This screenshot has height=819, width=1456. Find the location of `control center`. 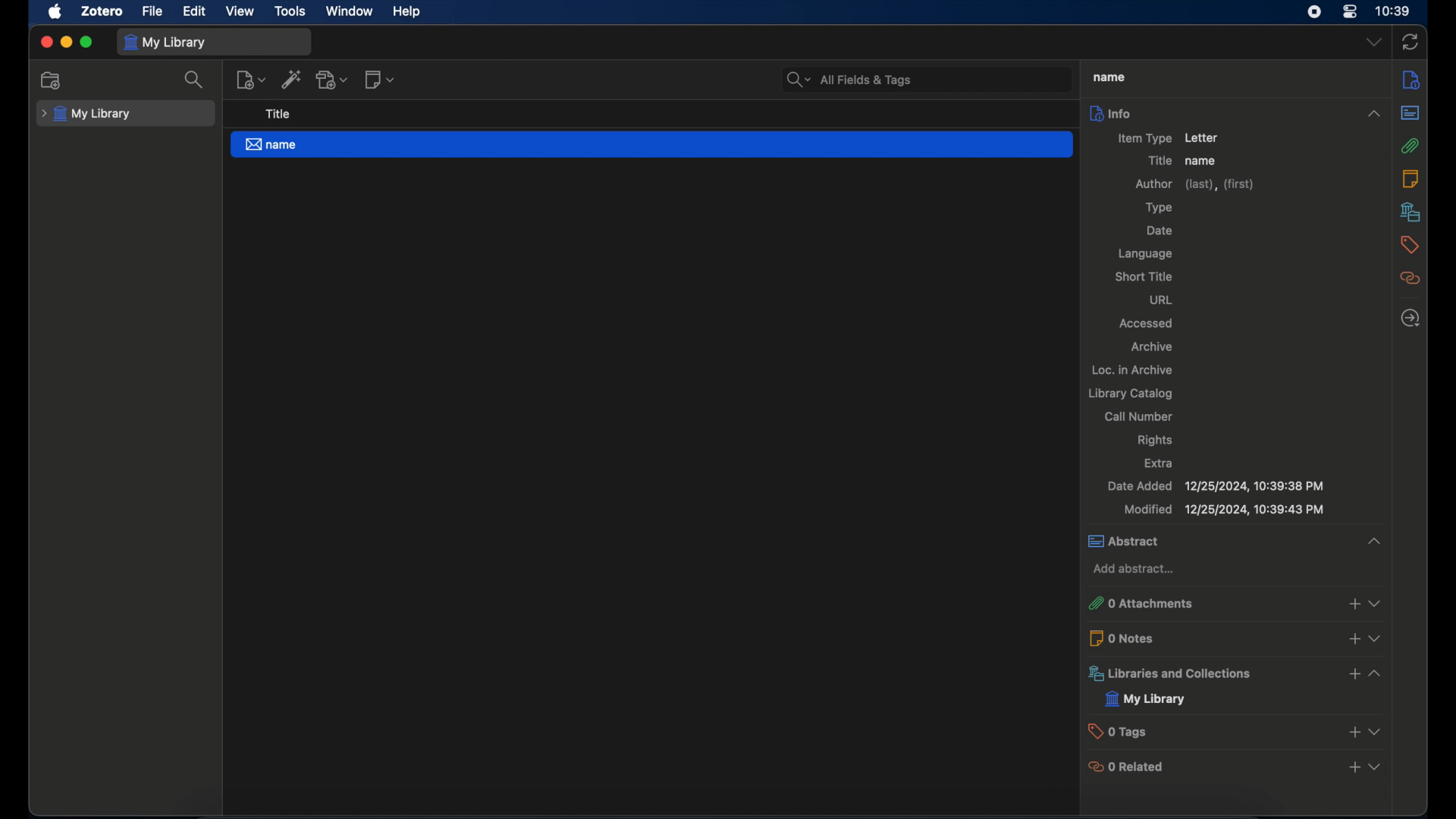

control center is located at coordinates (1350, 11).